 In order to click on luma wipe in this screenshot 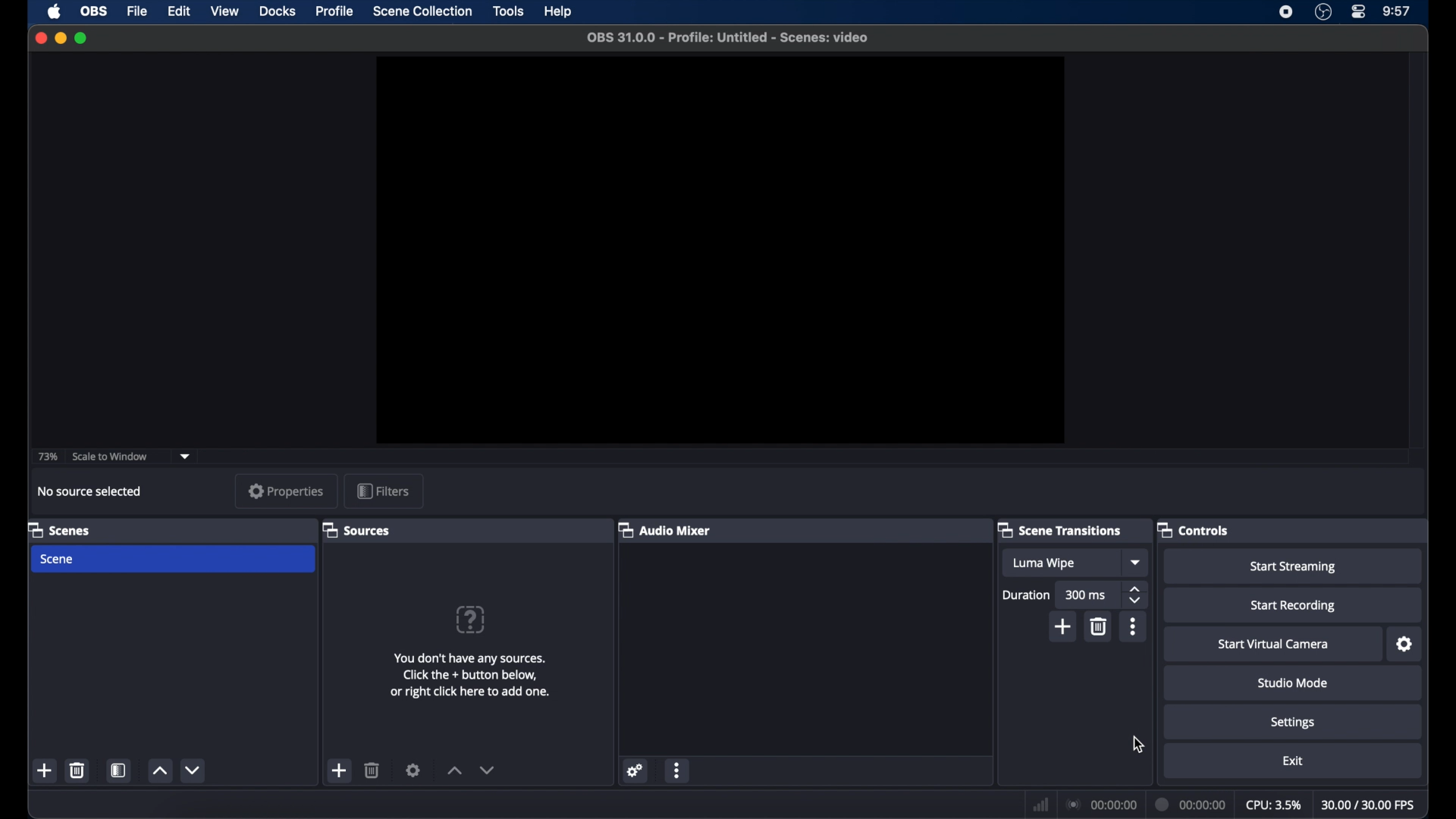, I will do `click(1043, 563)`.